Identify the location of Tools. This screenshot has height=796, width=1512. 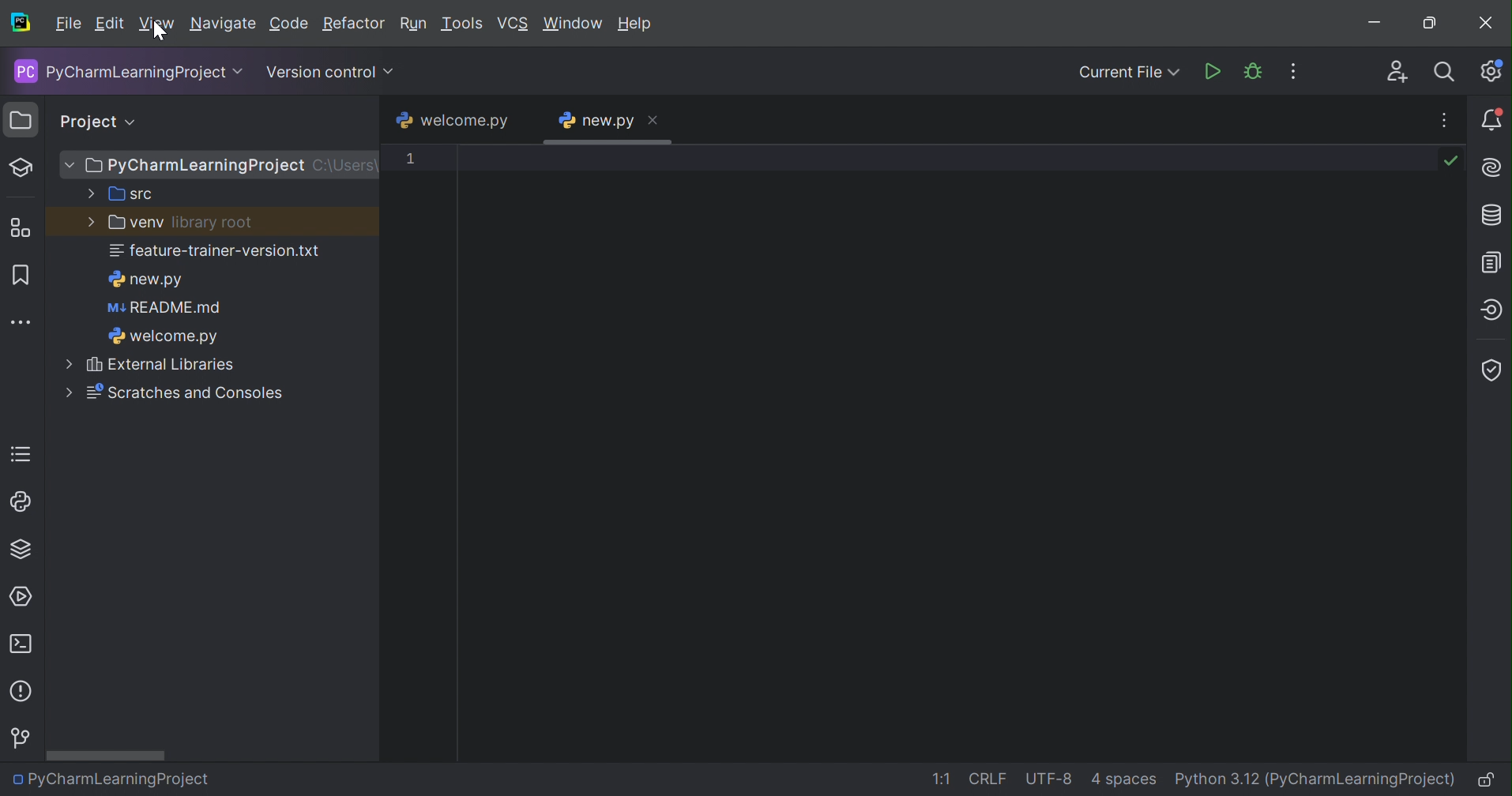
(463, 24).